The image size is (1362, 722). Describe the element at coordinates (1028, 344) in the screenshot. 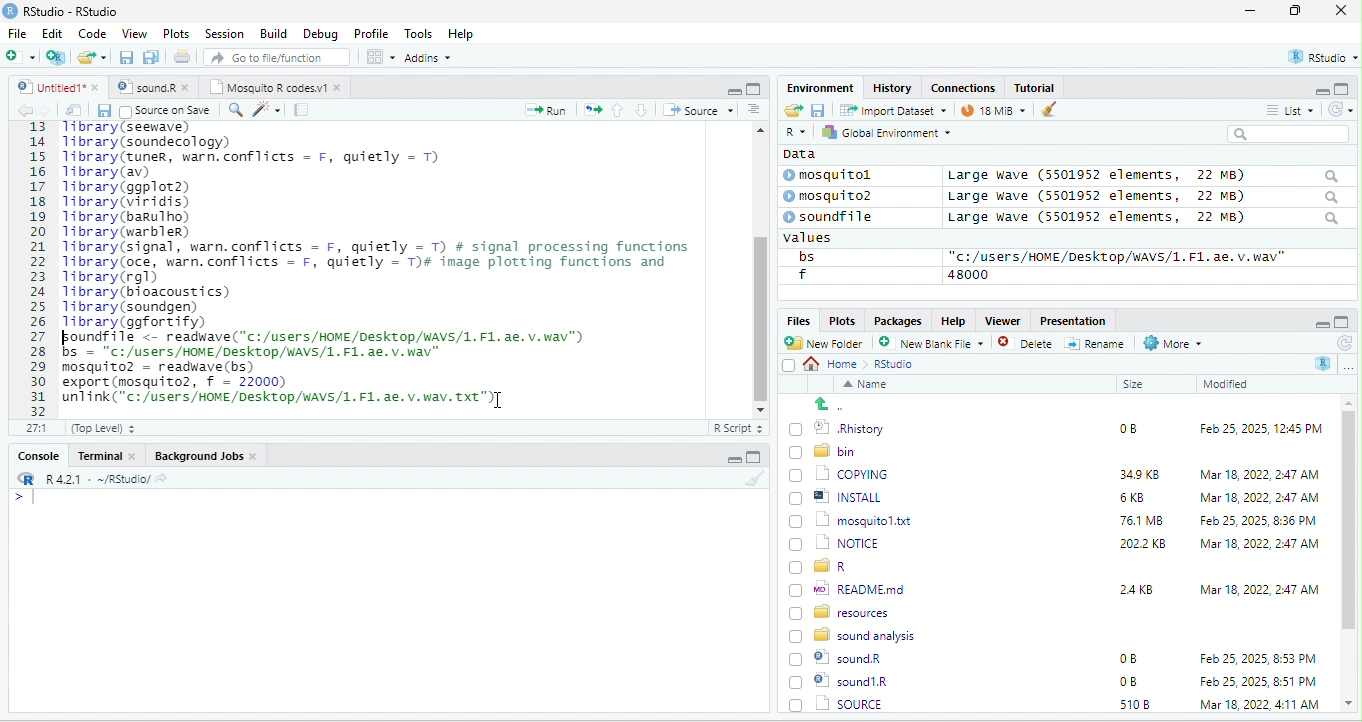

I see `Delete` at that location.